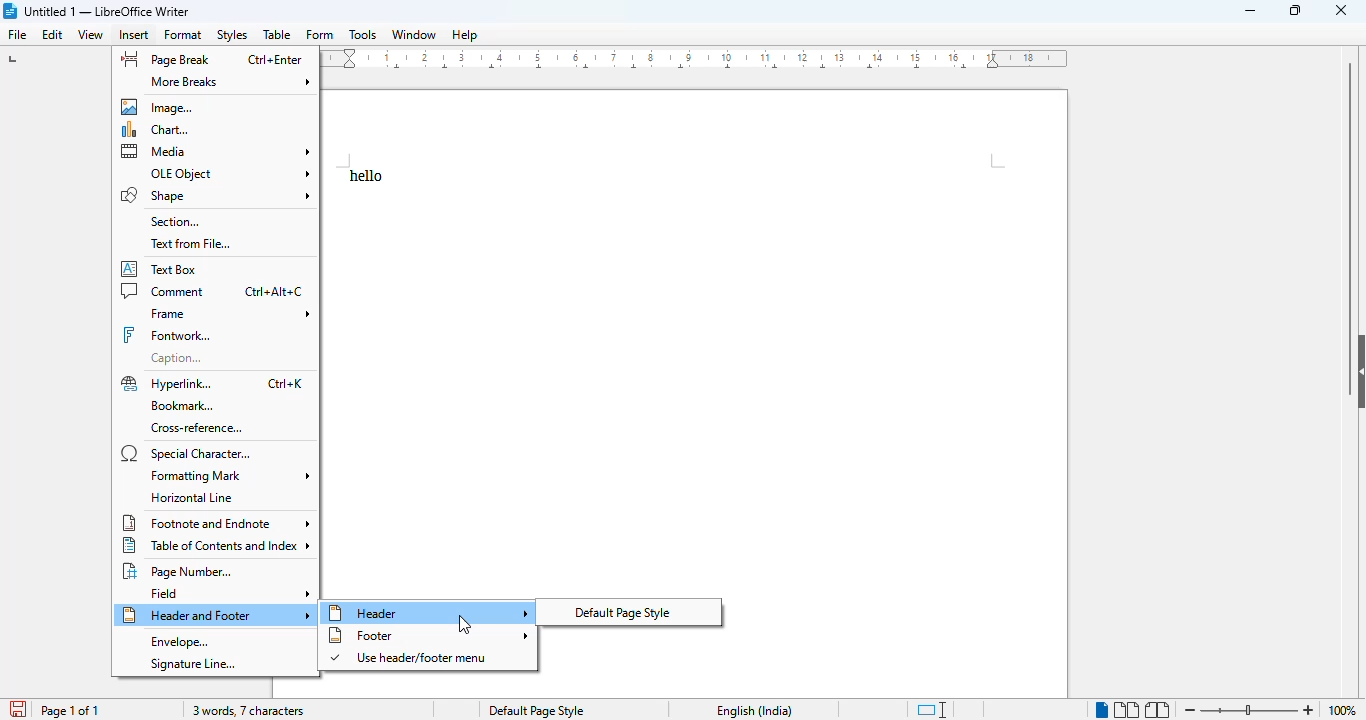  What do you see at coordinates (1351, 192) in the screenshot?
I see `vertical scroll bar` at bounding box center [1351, 192].